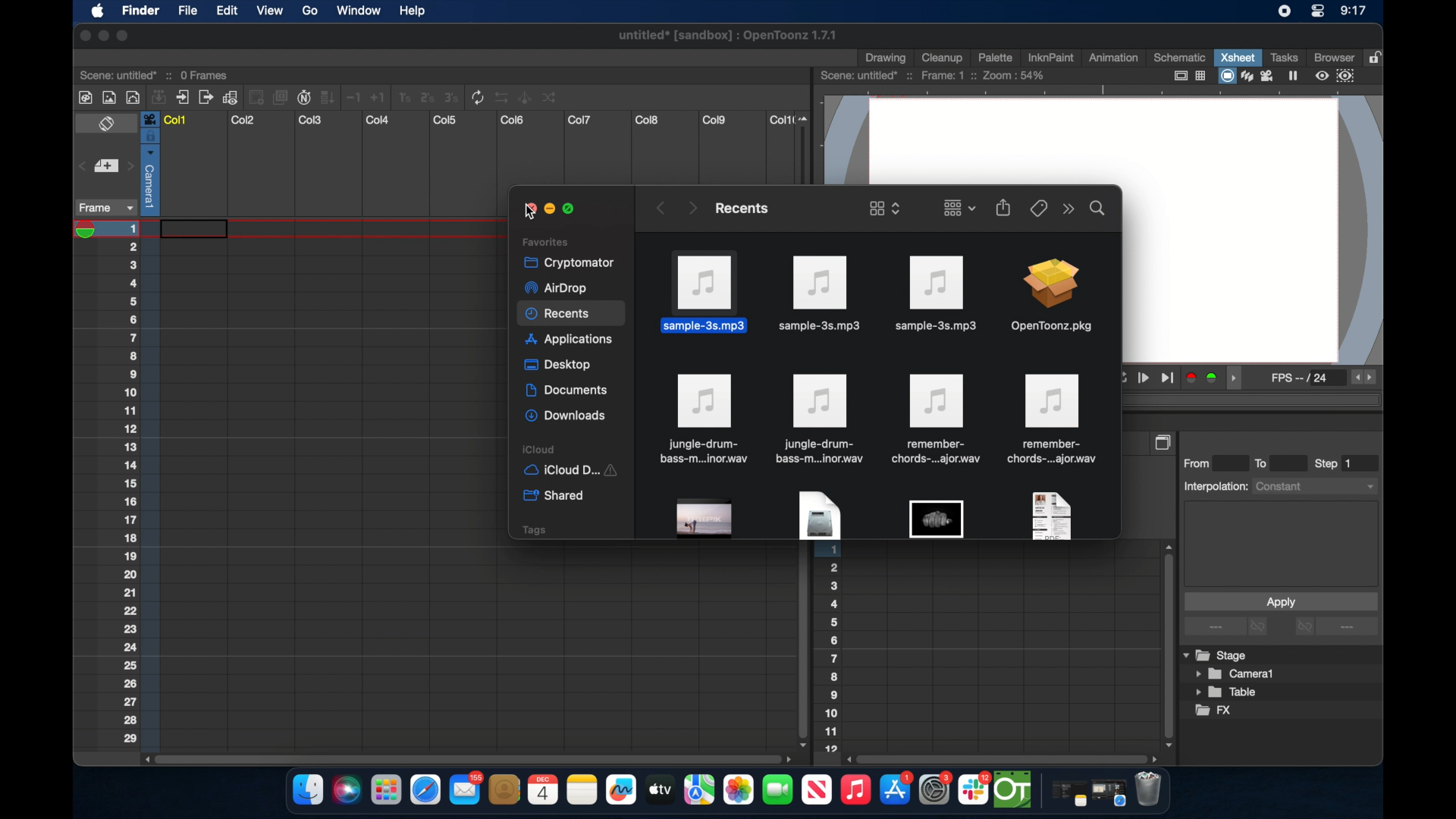 Image resolution: width=1456 pixels, height=819 pixels. Describe the element at coordinates (1188, 76) in the screenshot. I see `guide options` at that location.